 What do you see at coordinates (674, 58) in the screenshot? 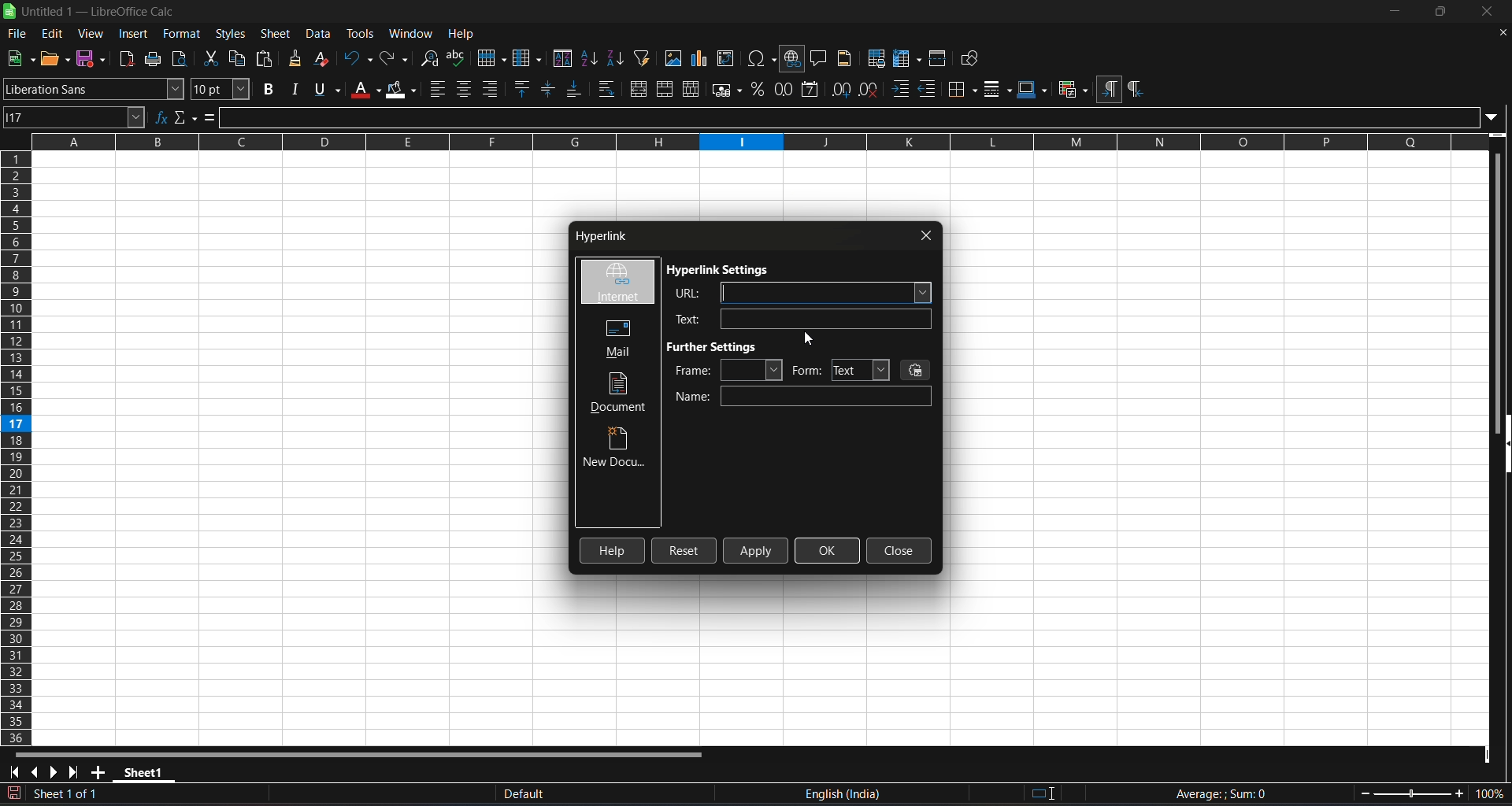
I see `insert image` at bounding box center [674, 58].